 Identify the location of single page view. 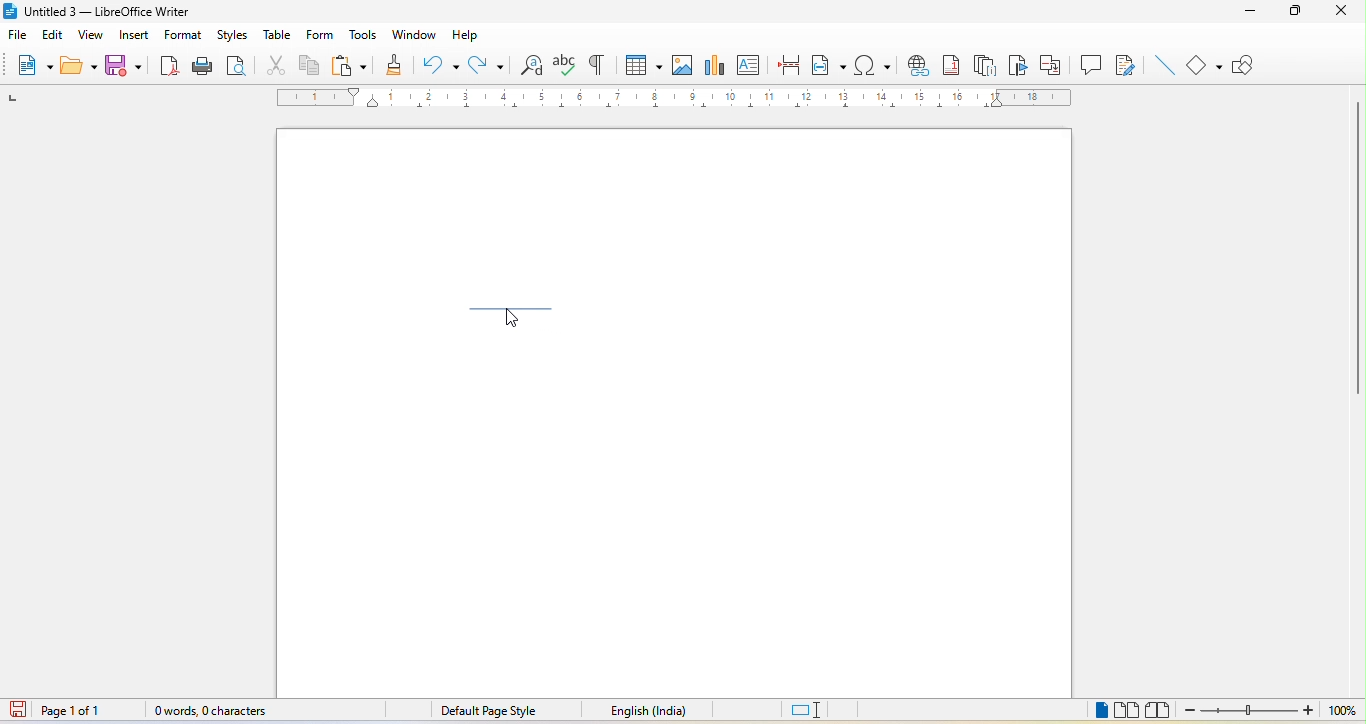
(1098, 712).